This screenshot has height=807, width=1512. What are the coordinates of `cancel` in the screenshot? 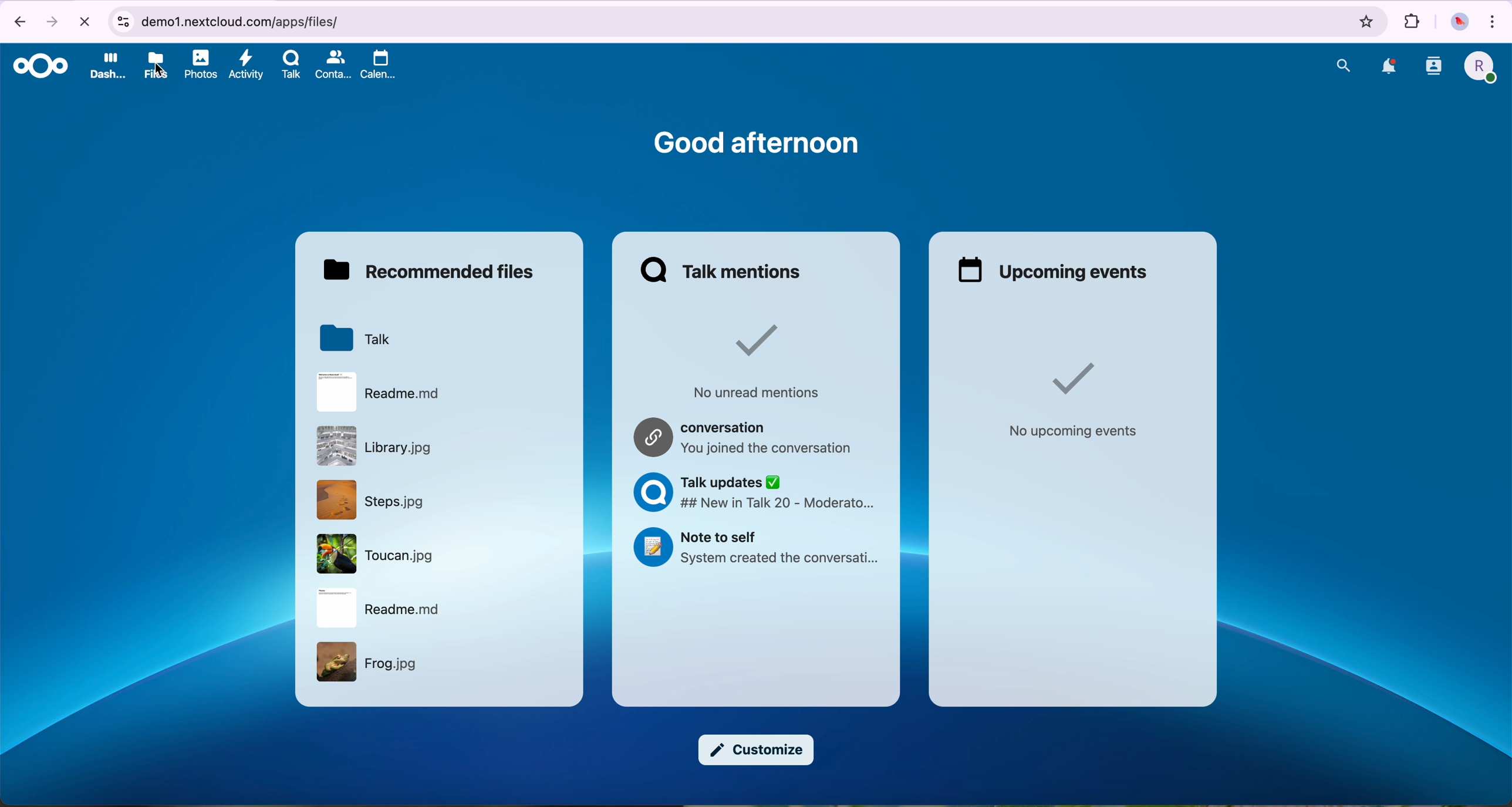 It's located at (84, 21).